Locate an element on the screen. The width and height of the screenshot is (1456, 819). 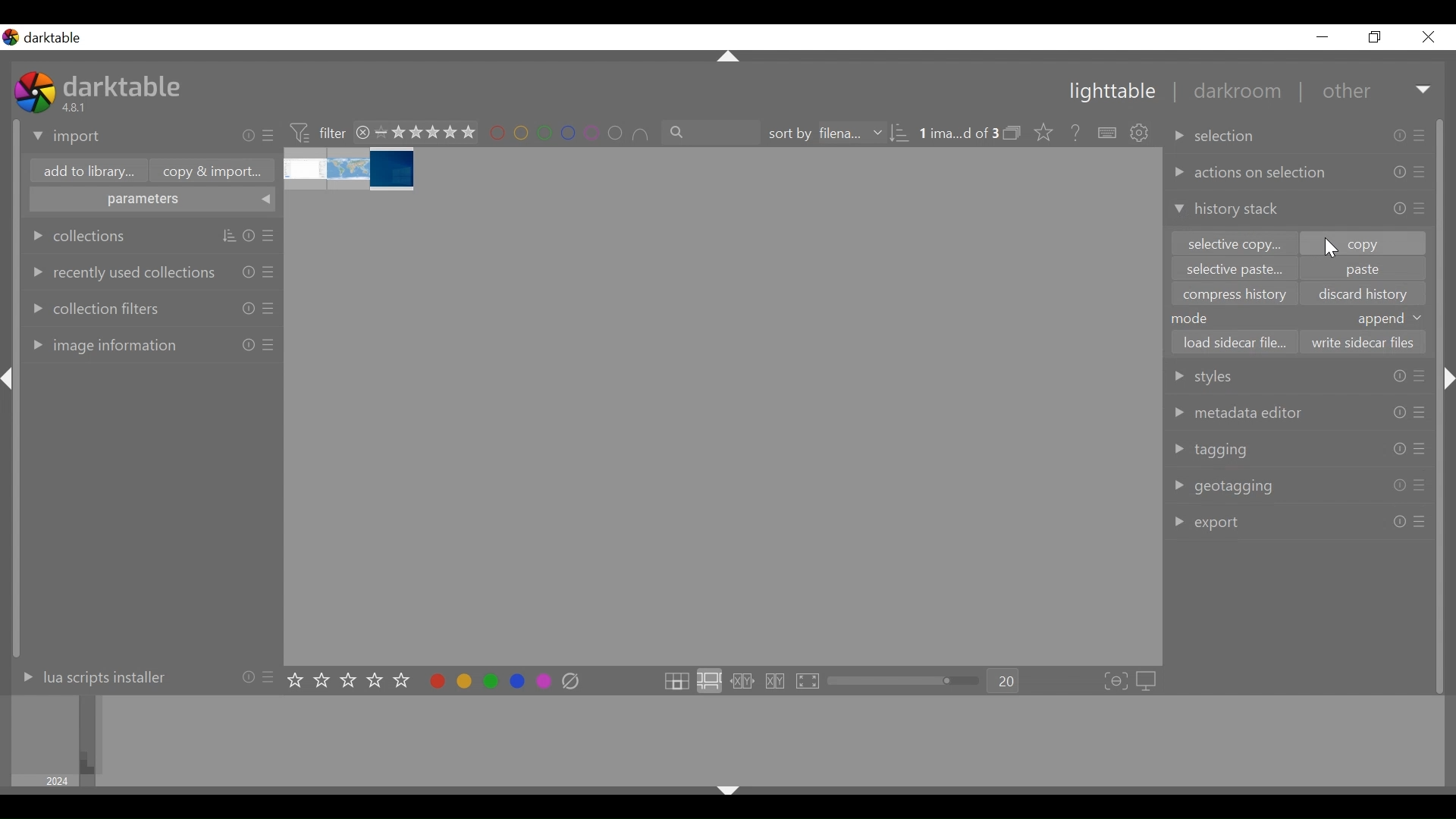
Collapse  is located at coordinates (730, 58).